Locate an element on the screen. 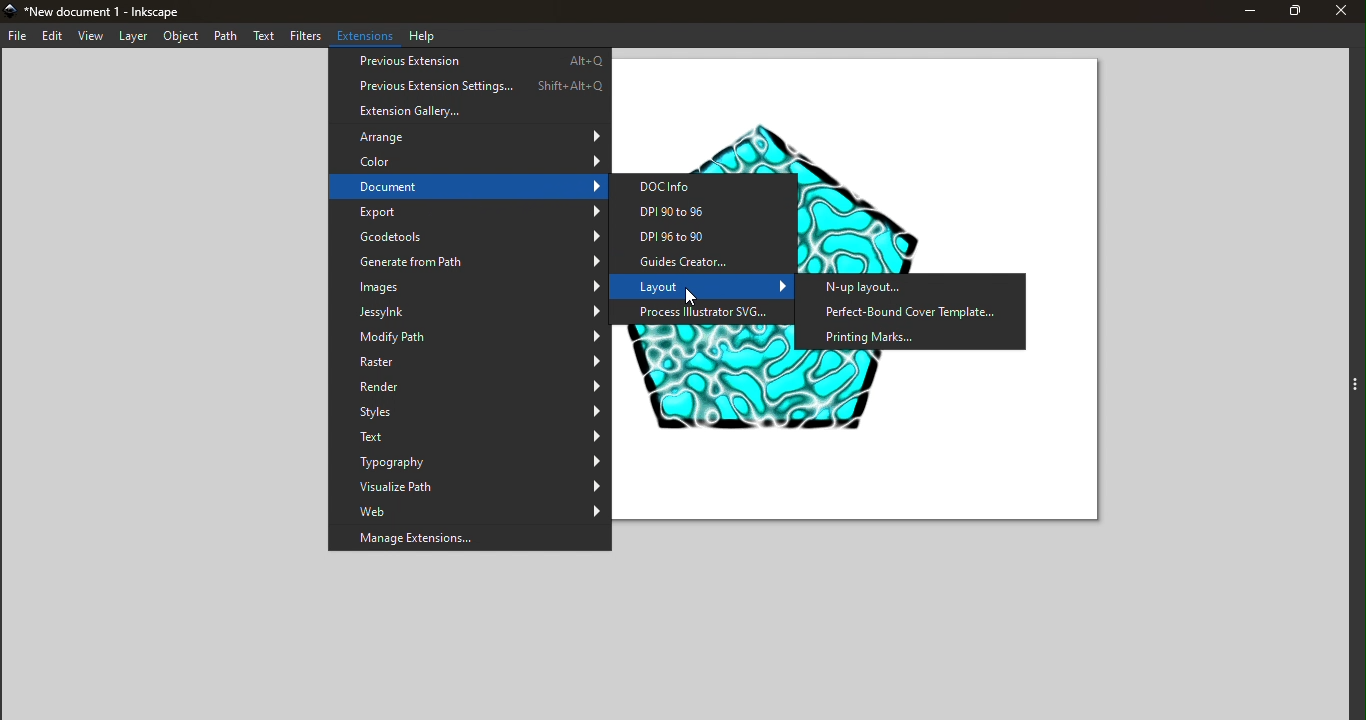 Image resolution: width=1366 pixels, height=720 pixels. Toggle command panel is located at coordinates (1348, 386).